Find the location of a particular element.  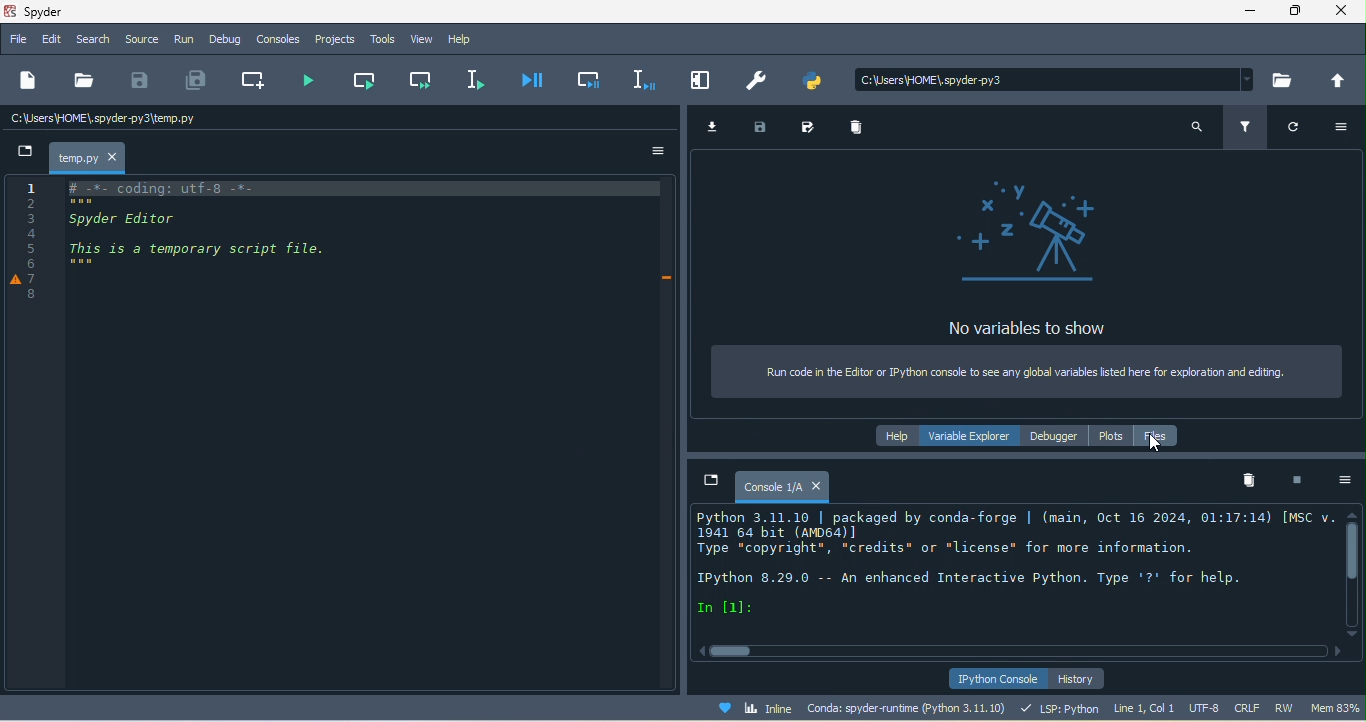

variable explorer is located at coordinates (975, 434).